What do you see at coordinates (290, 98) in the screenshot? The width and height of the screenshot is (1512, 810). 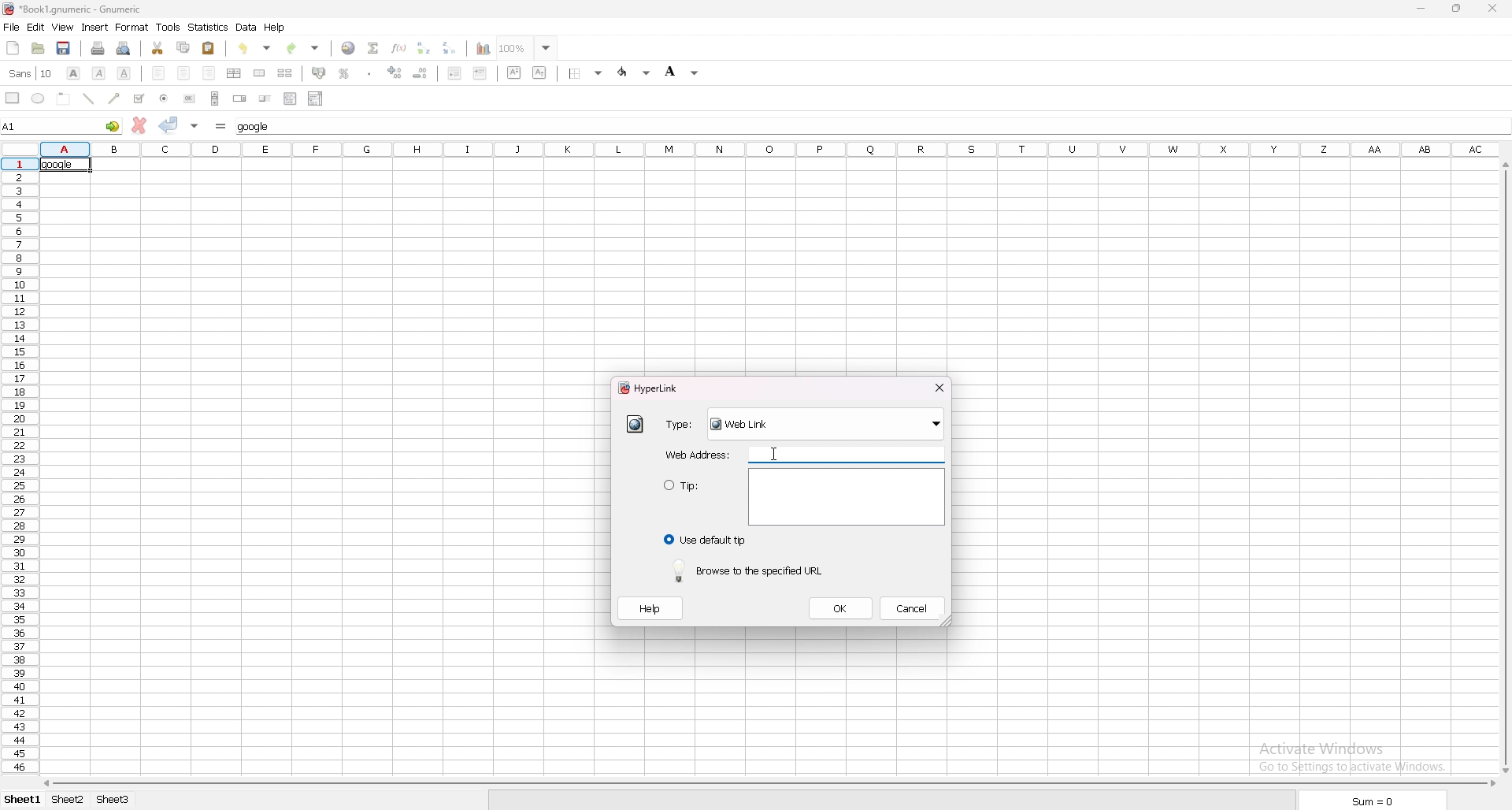 I see `list` at bounding box center [290, 98].